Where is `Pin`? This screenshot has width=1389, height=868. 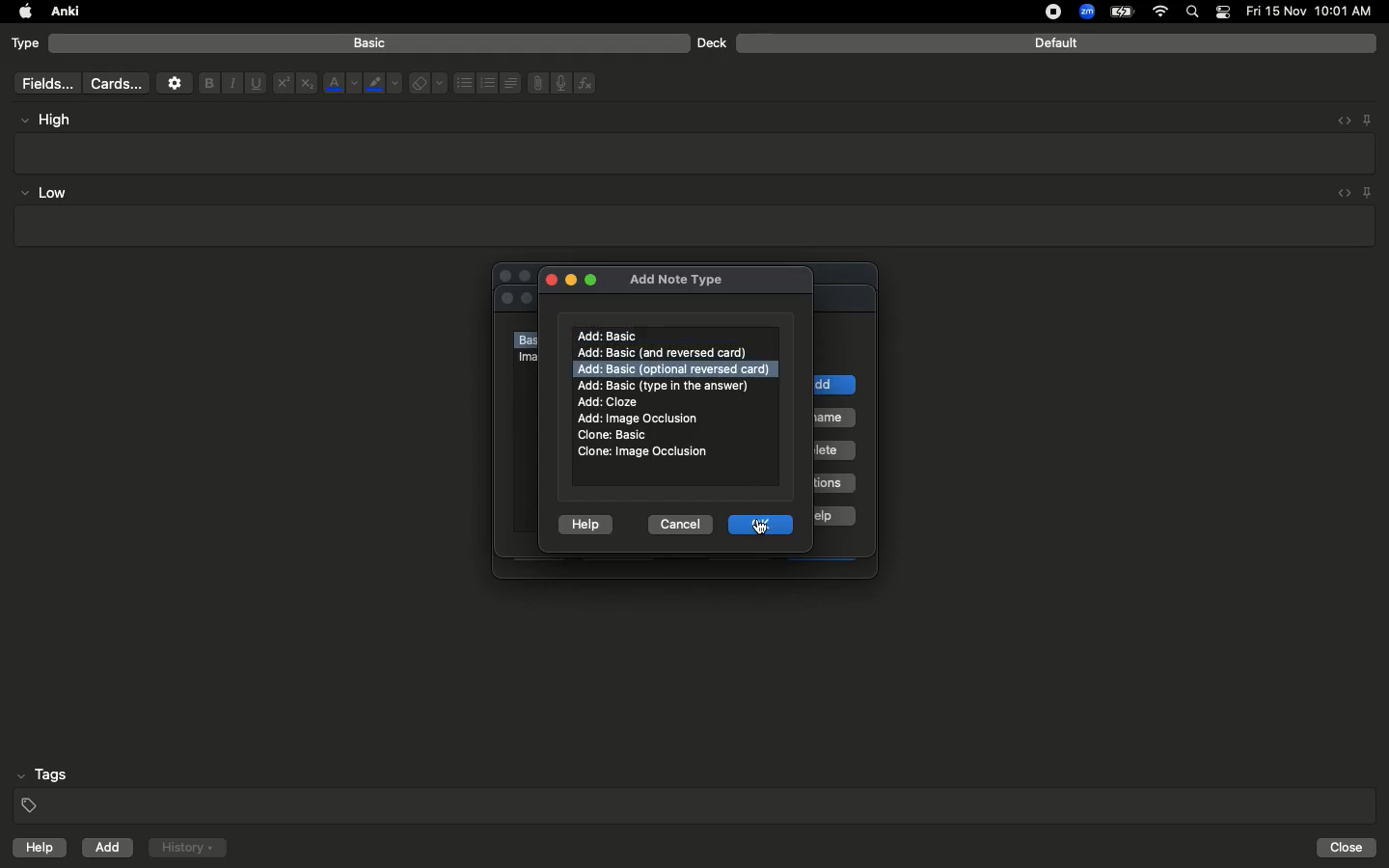
Pin is located at coordinates (1367, 119).